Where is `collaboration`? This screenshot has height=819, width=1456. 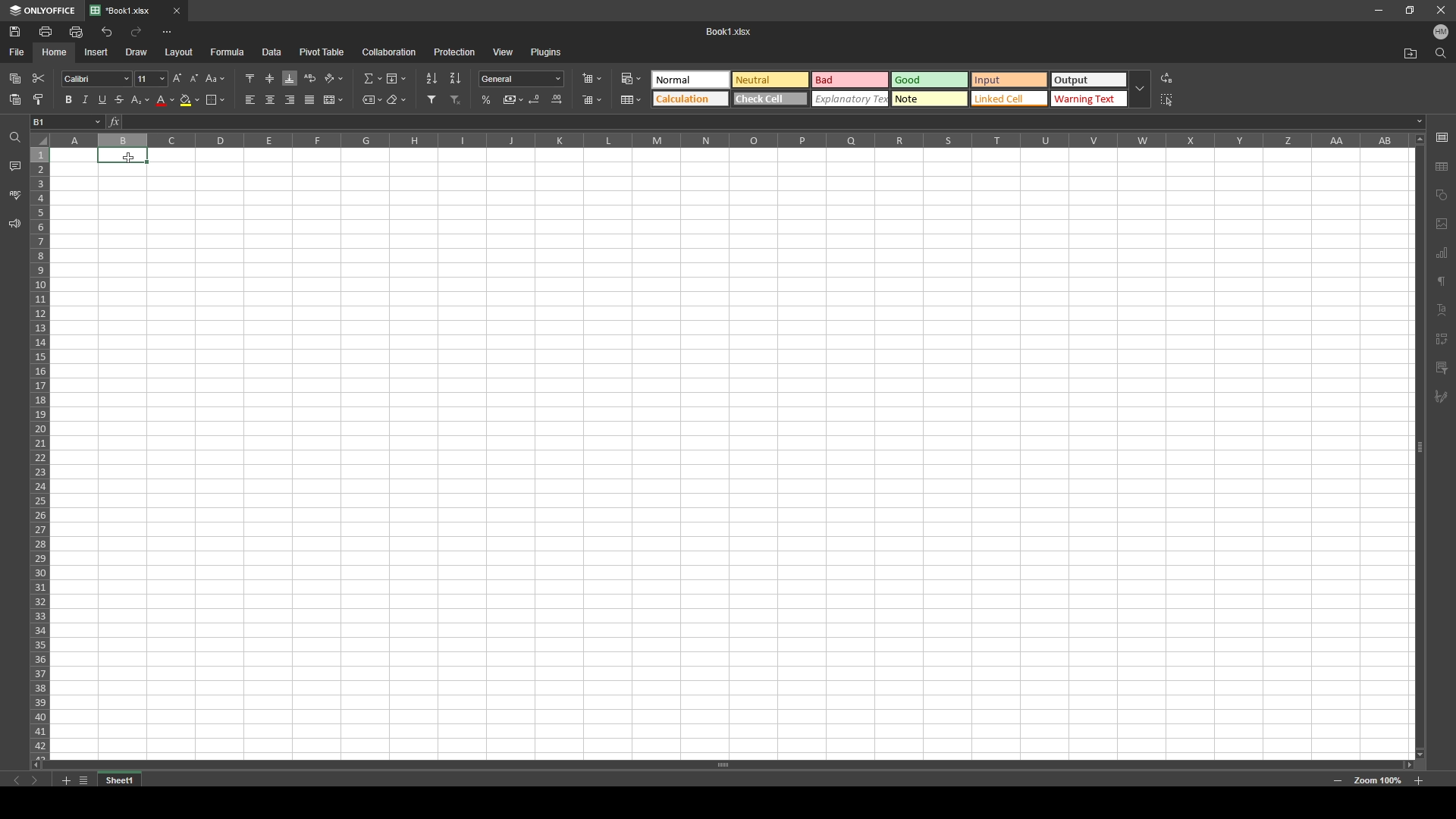 collaboration is located at coordinates (390, 52).